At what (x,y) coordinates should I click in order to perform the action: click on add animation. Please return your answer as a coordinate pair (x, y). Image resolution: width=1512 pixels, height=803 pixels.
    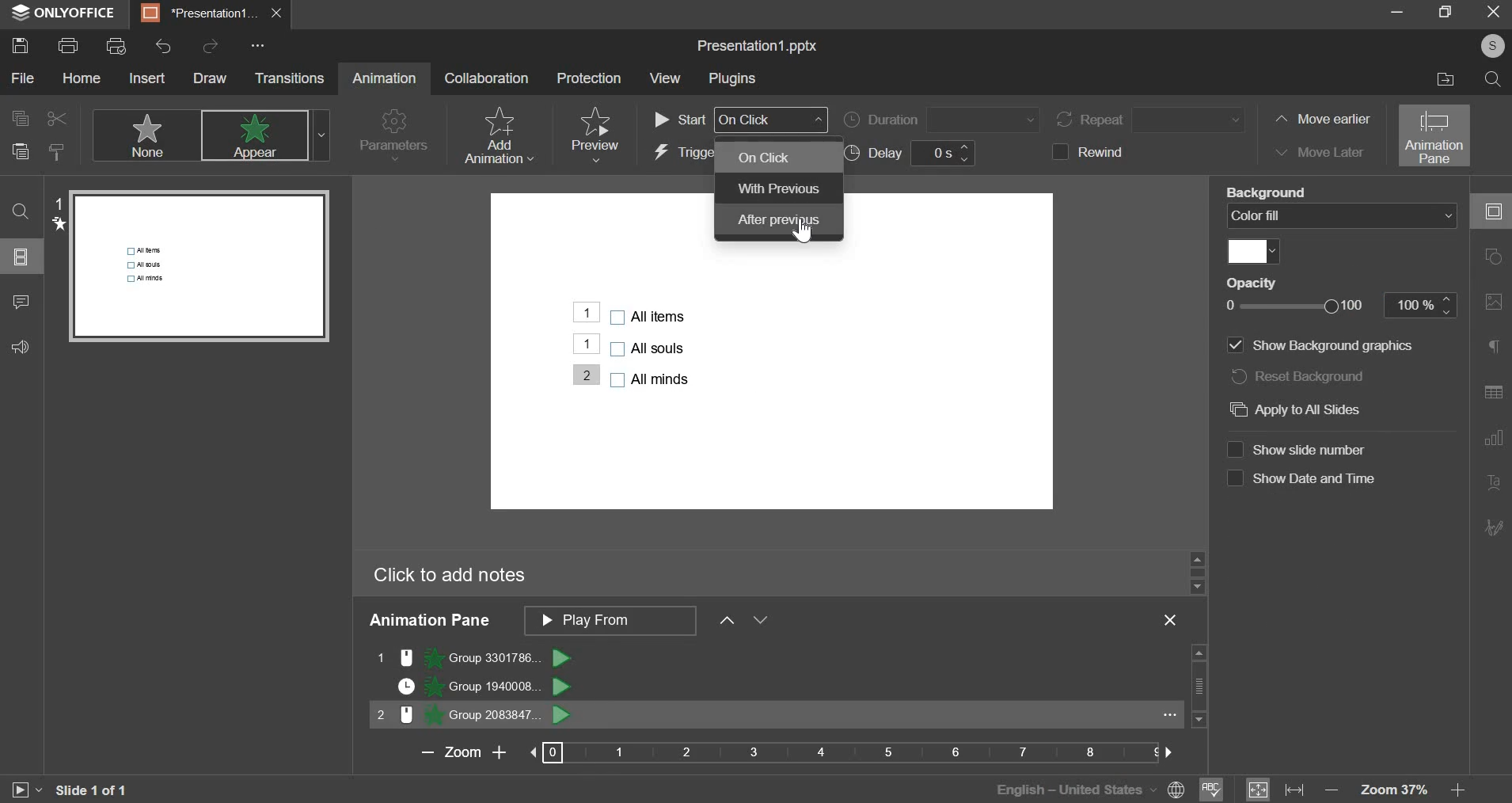
    Looking at the image, I should click on (497, 135).